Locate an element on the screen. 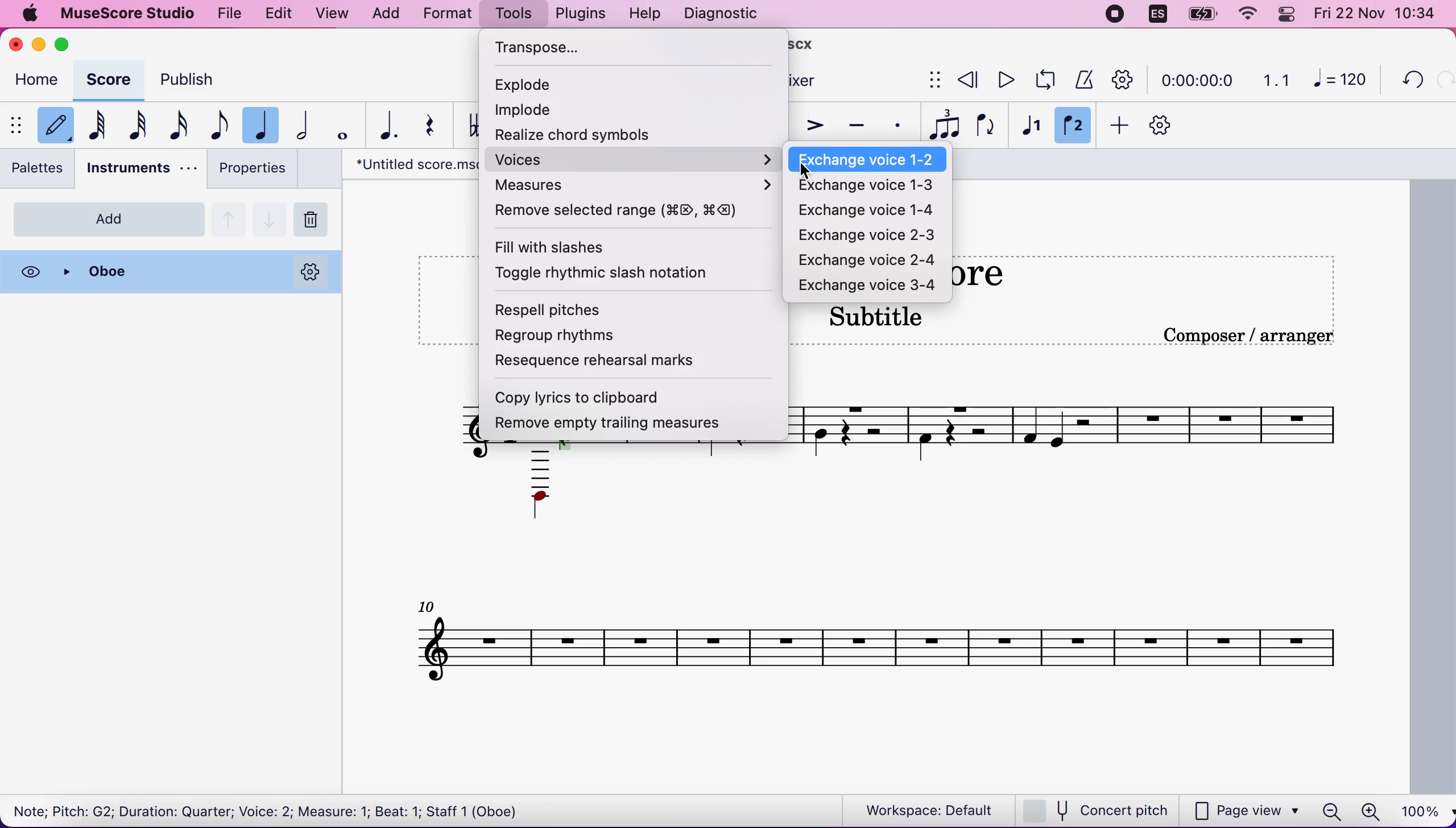  time and date is located at coordinates (1379, 15).